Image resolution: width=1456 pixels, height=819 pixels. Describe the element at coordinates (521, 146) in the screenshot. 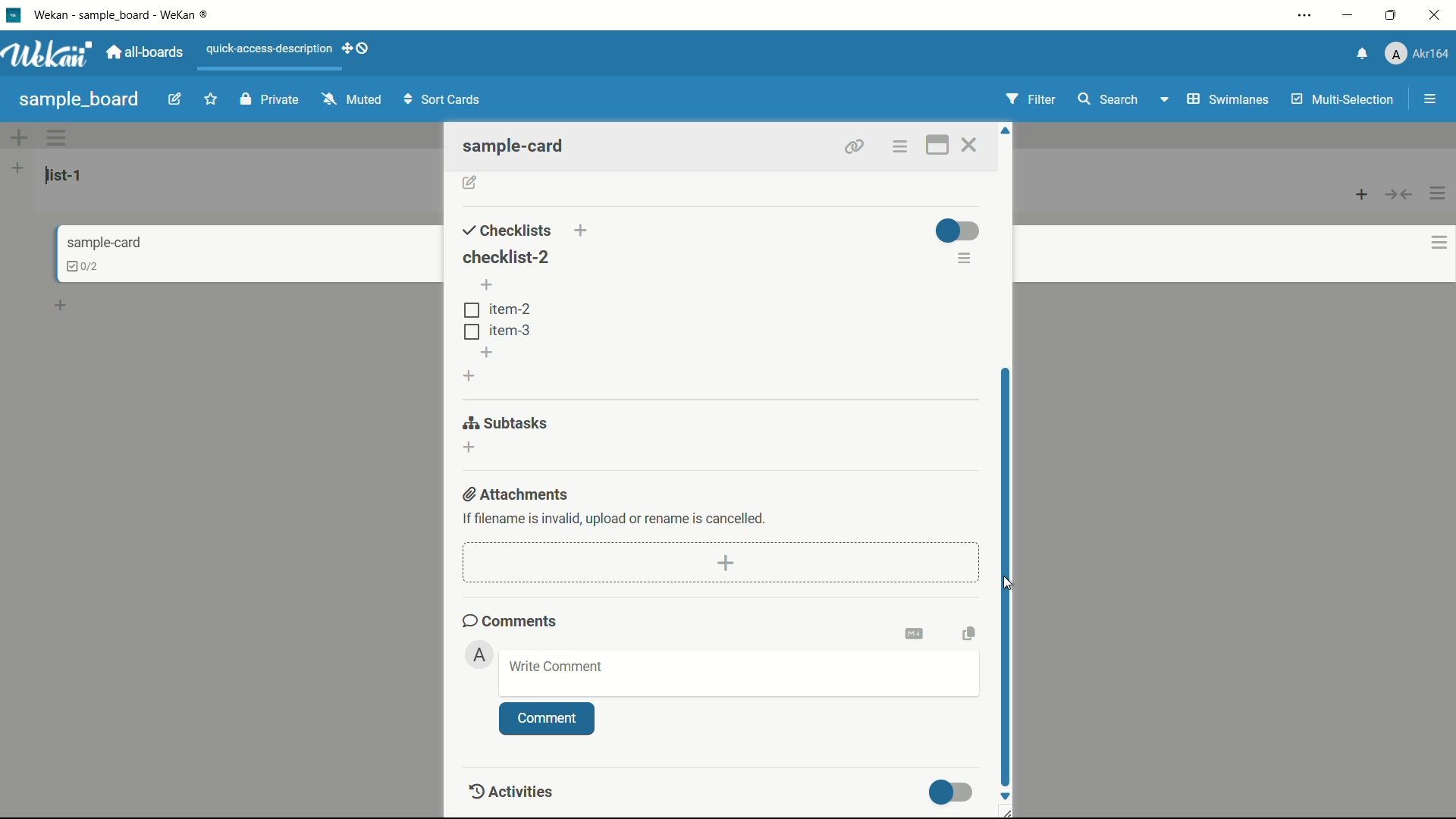

I see `sample-card` at that location.